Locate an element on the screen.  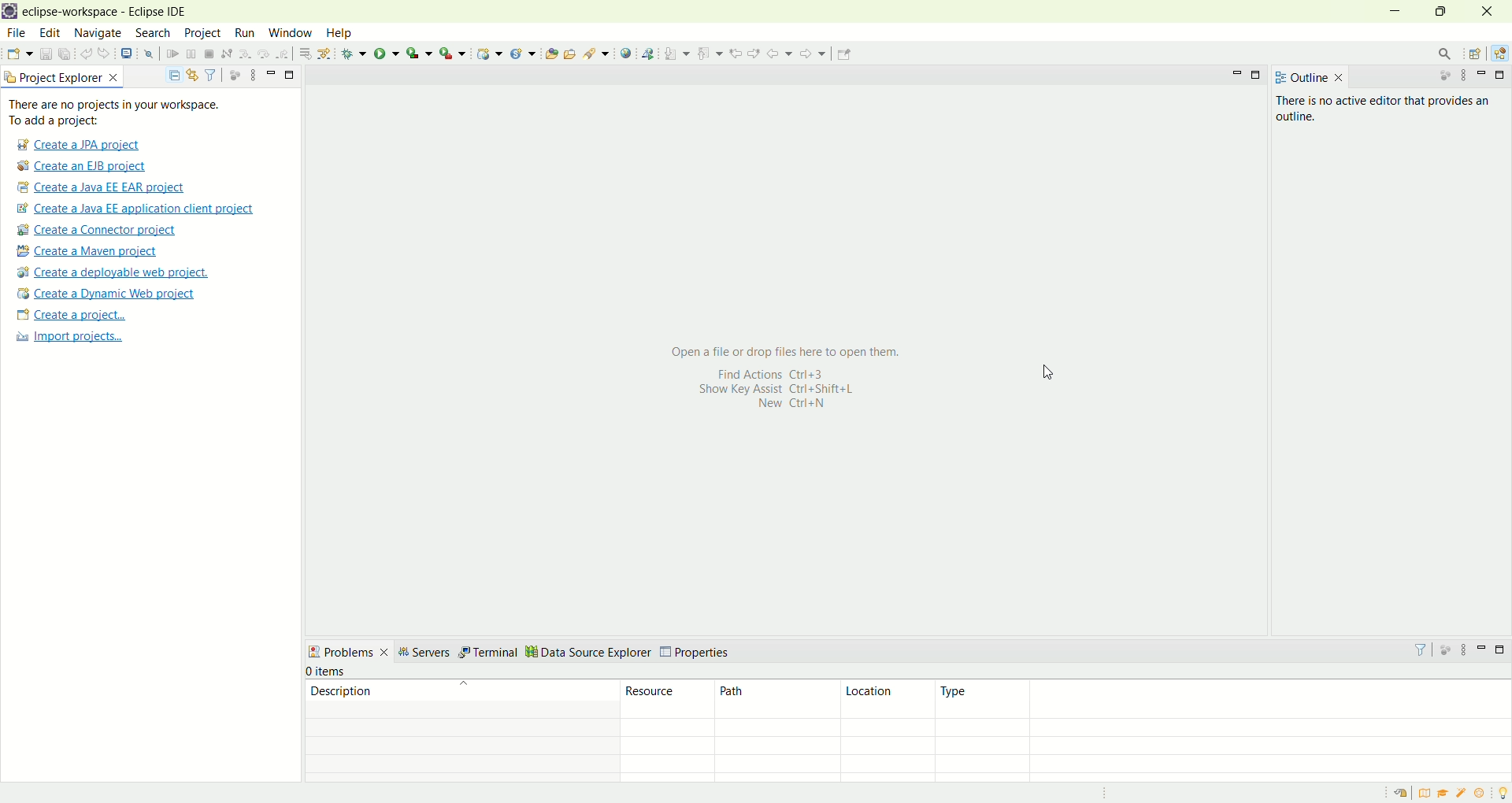
next edit location is located at coordinates (753, 53).